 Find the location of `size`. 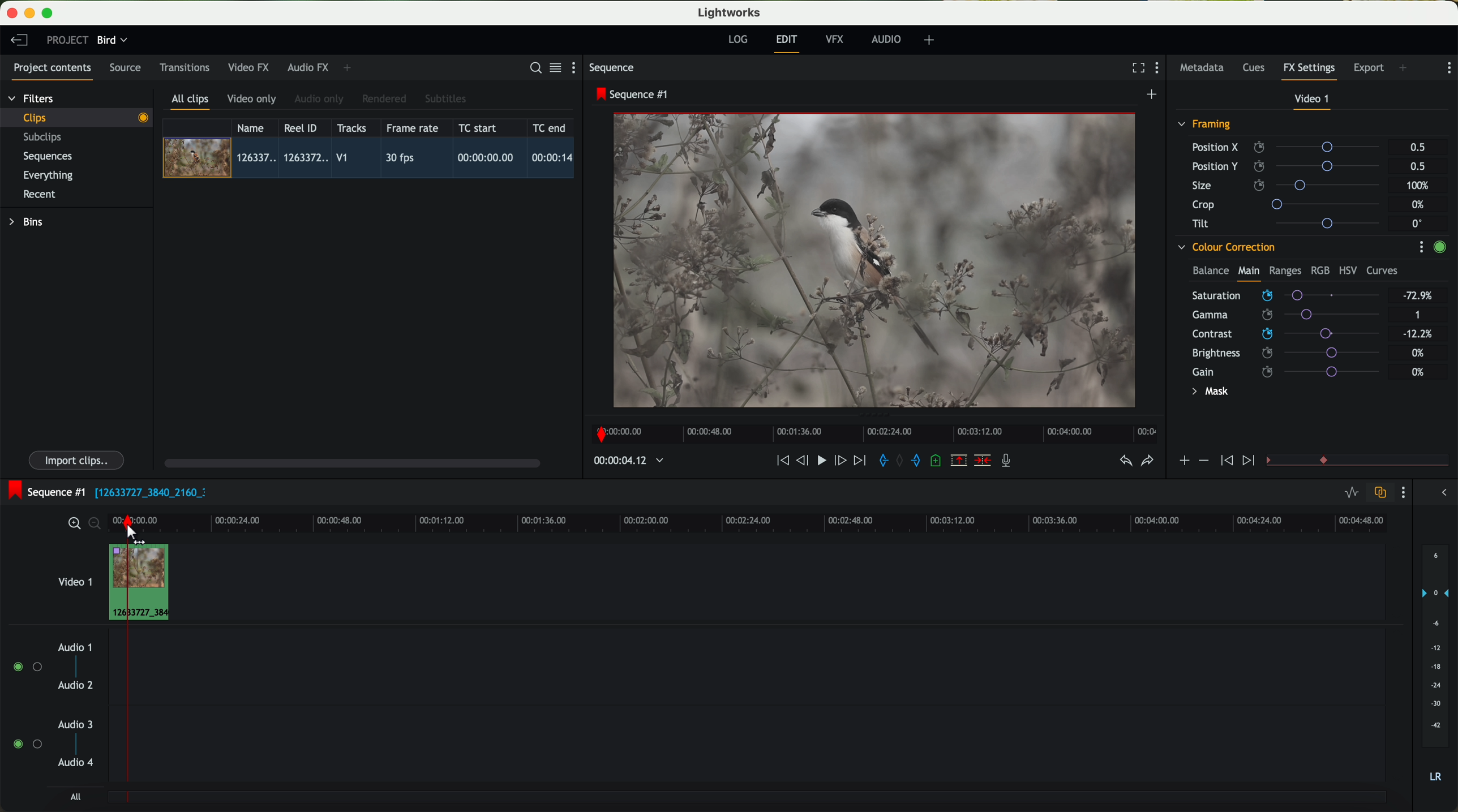

size is located at coordinates (1289, 186).